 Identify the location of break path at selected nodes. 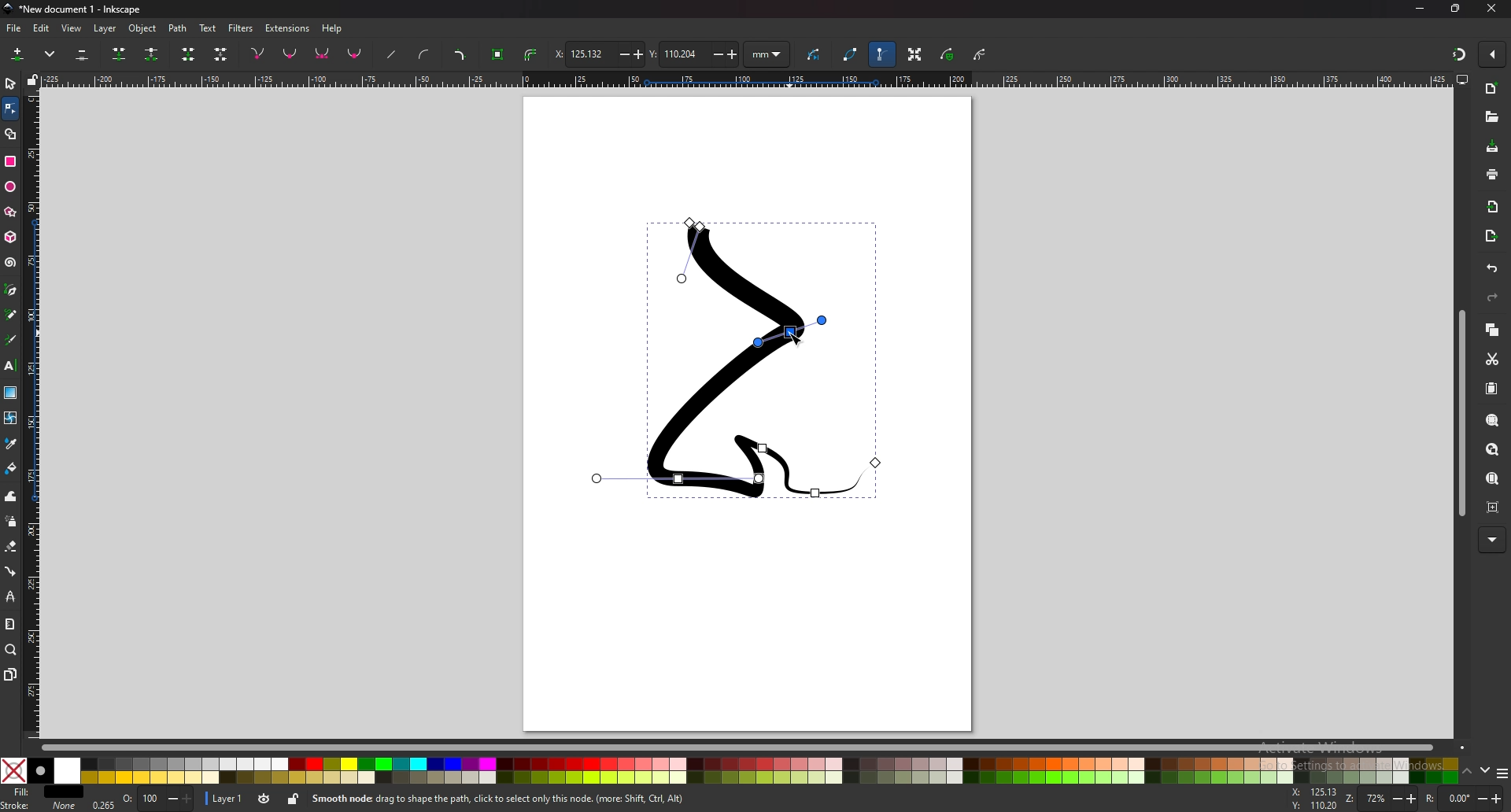
(151, 55).